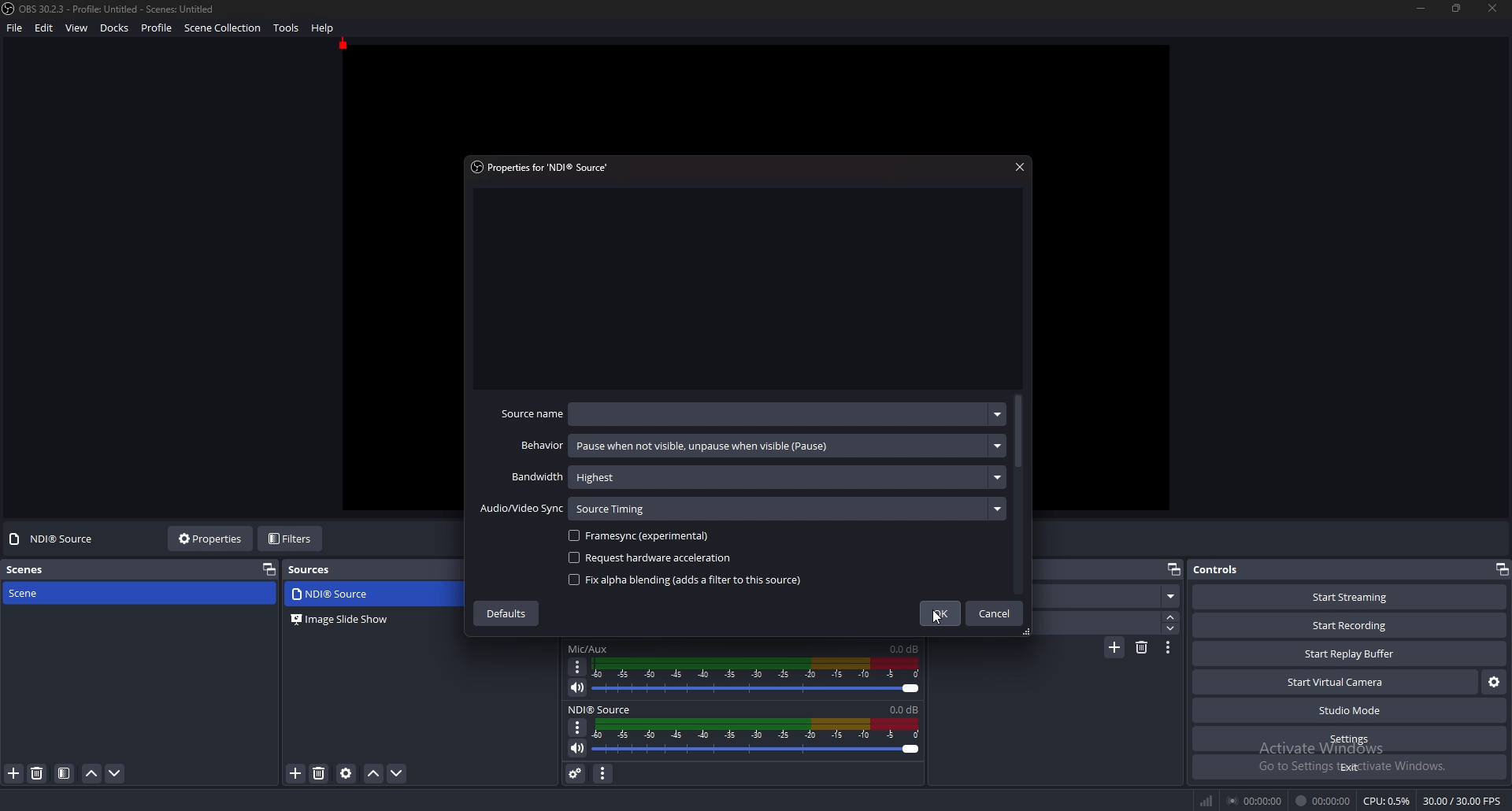  Describe the element at coordinates (13, 774) in the screenshot. I see `add source` at that location.